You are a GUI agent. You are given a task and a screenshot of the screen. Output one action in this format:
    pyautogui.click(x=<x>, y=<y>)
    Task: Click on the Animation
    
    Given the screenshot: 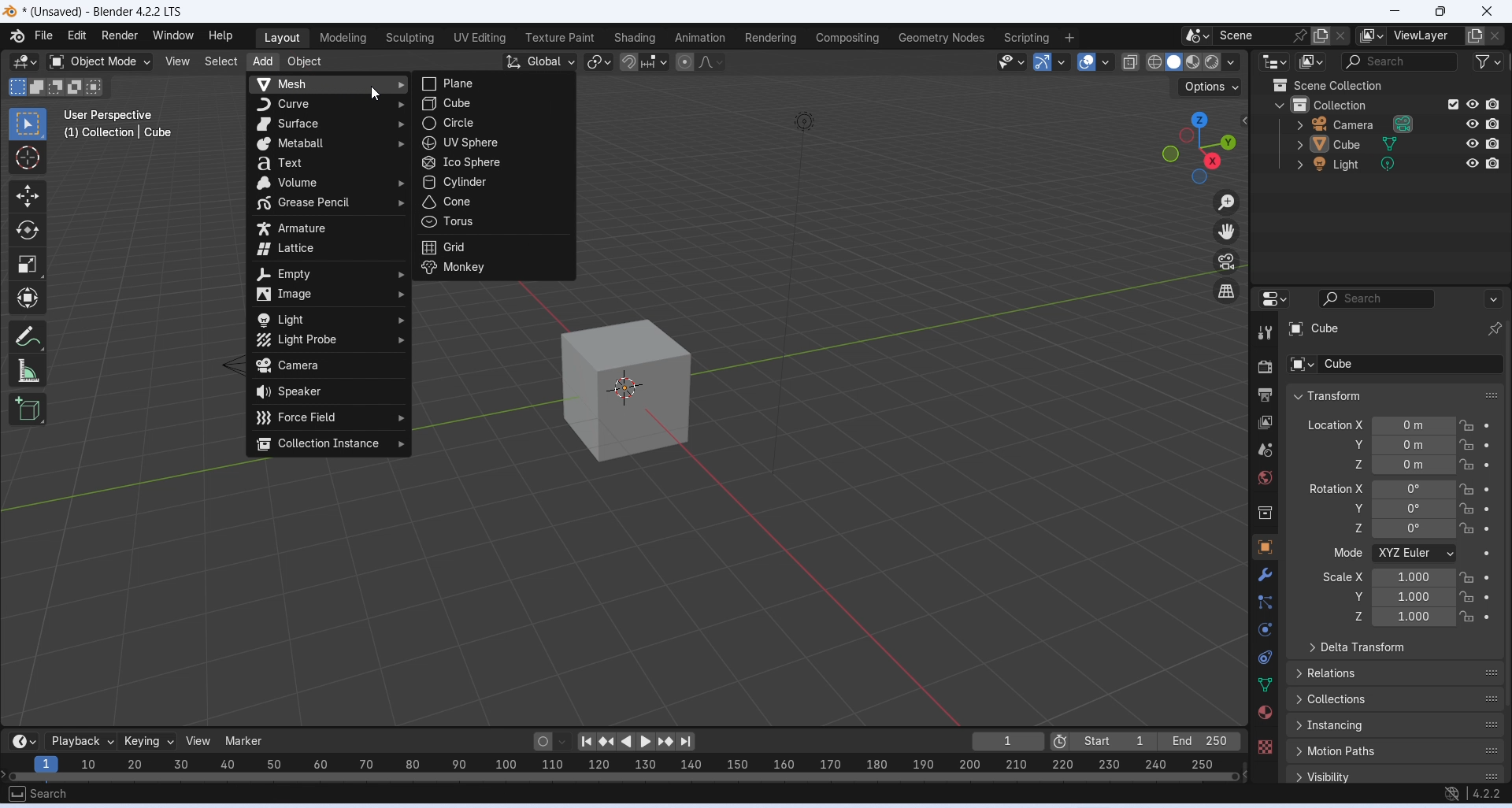 What is the action you would take?
    pyautogui.click(x=699, y=37)
    